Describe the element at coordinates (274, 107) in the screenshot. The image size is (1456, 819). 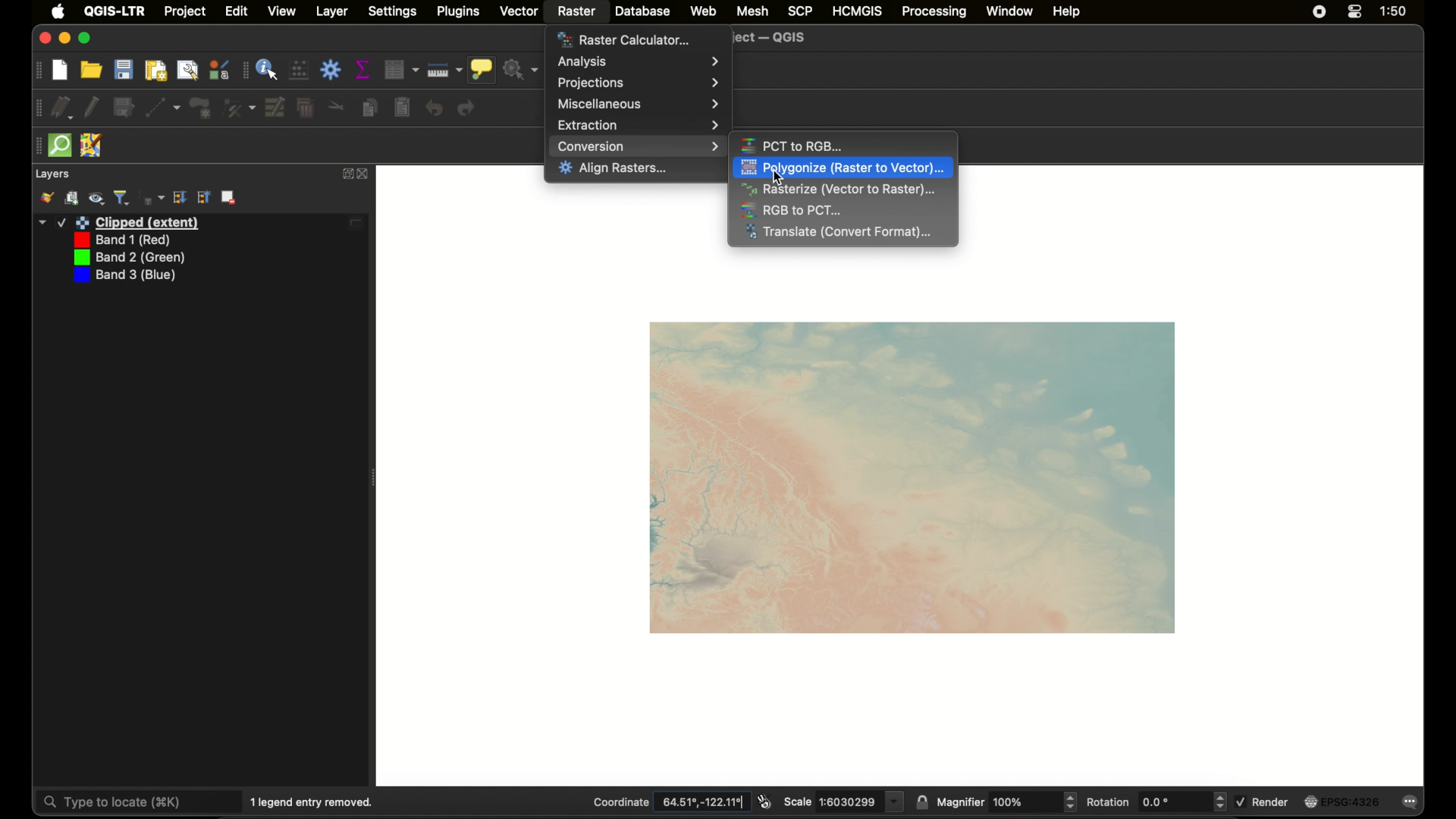
I see `modify attributes` at that location.